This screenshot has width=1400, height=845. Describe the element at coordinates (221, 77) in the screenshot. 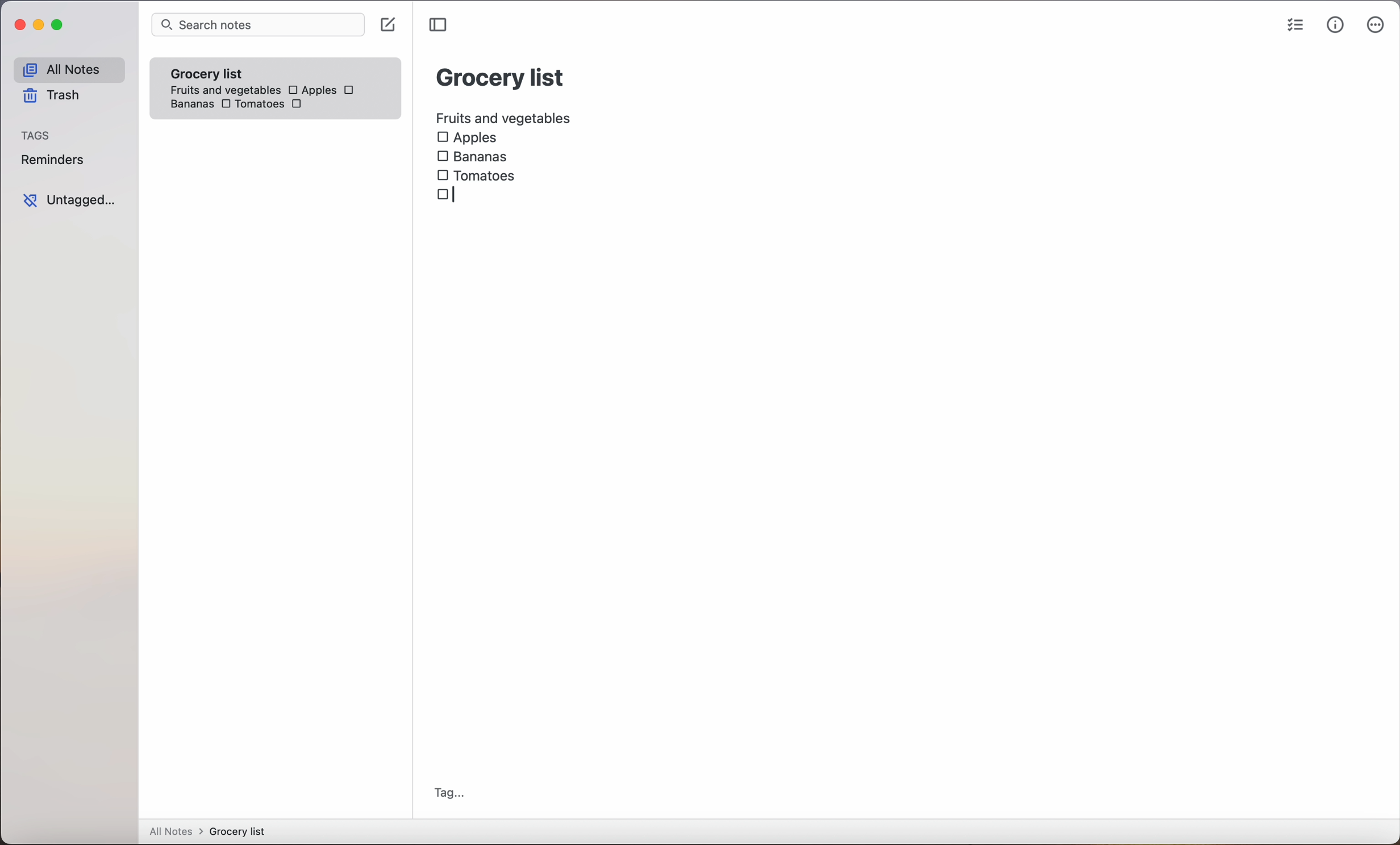

I see `grocery list note fruits and vegetables` at that location.